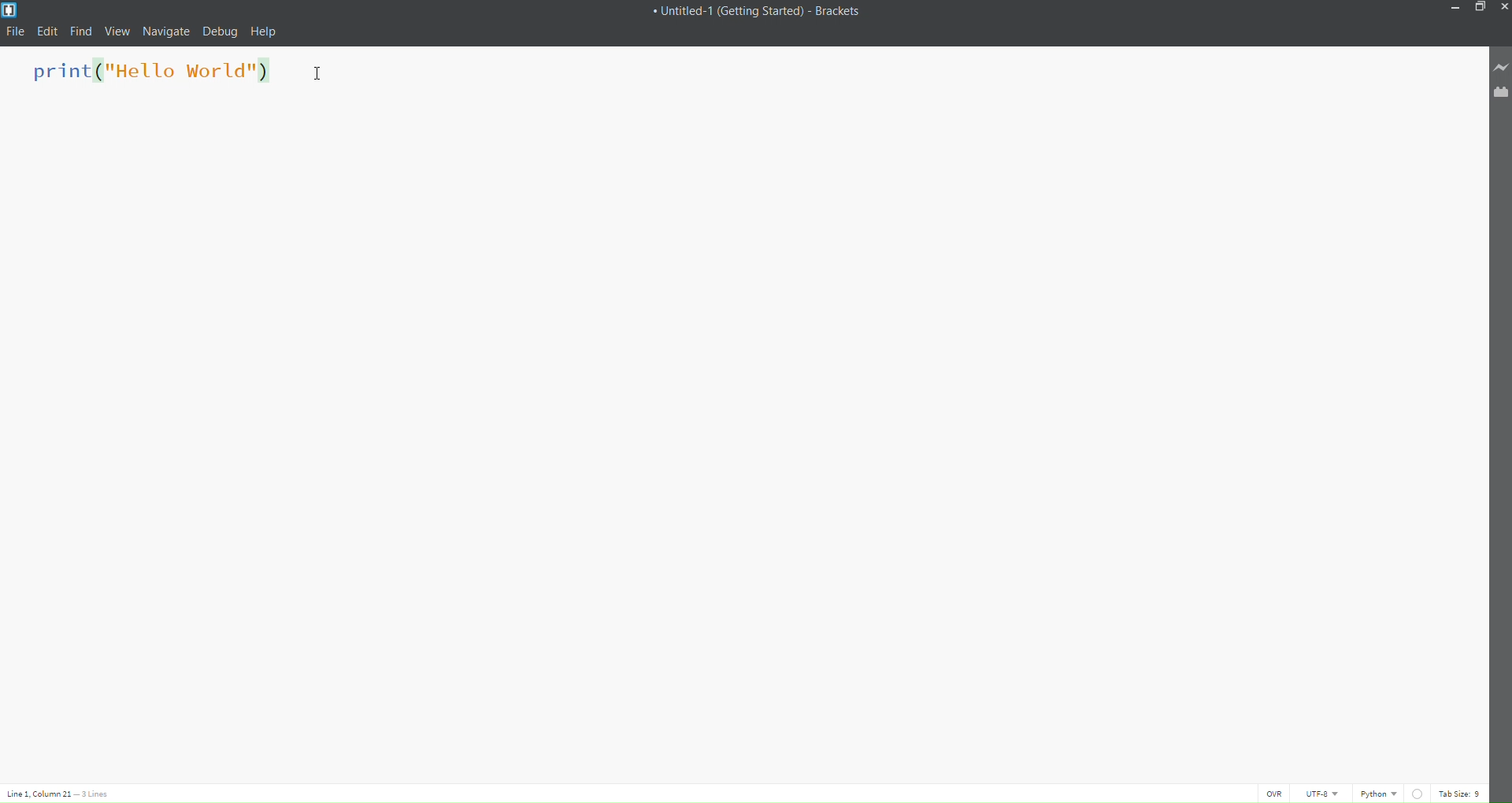  Describe the element at coordinates (220, 31) in the screenshot. I see `debug` at that location.